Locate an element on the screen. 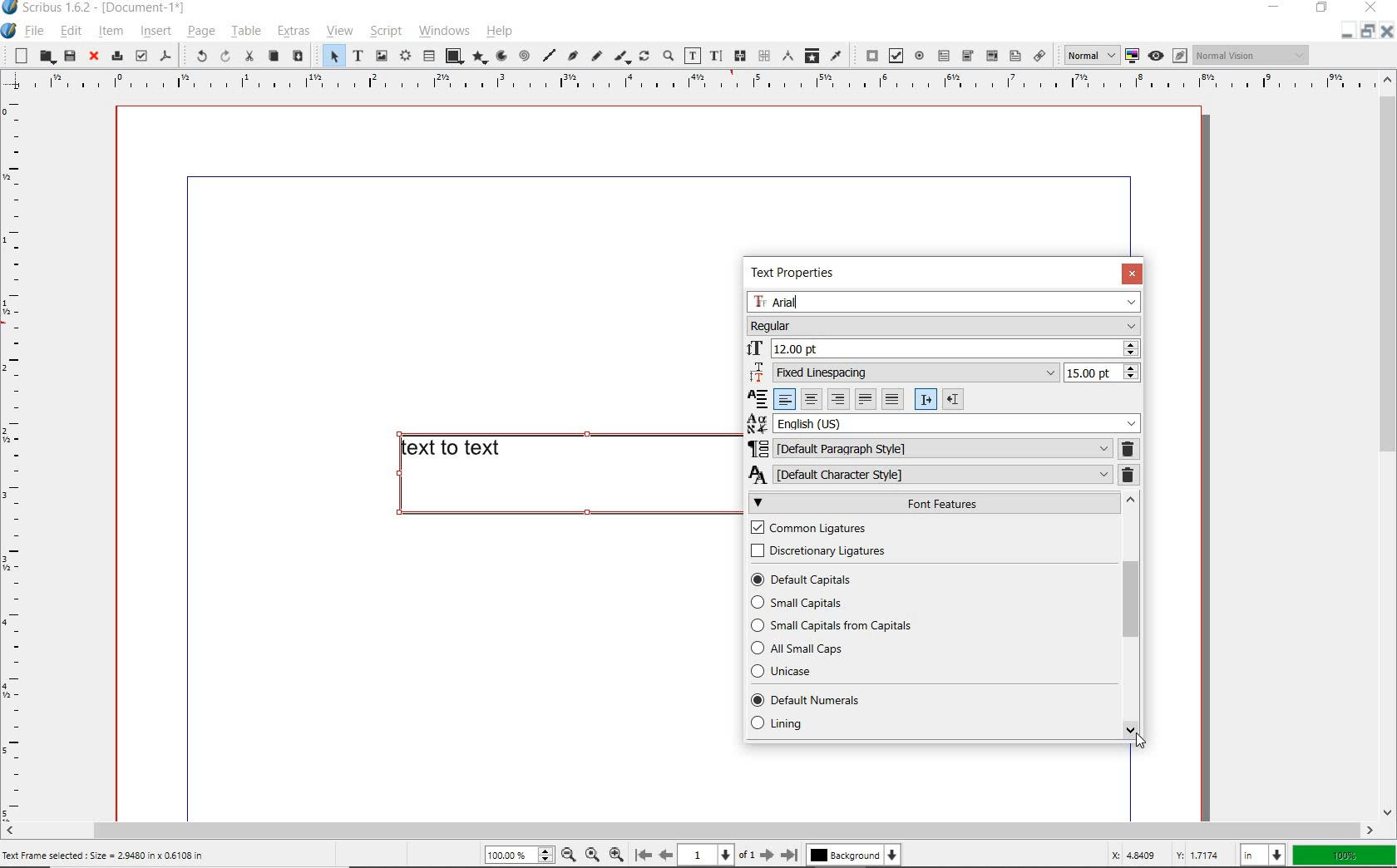 This screenshot has width=1397, height=868. item is located at coordinates (111, 31).